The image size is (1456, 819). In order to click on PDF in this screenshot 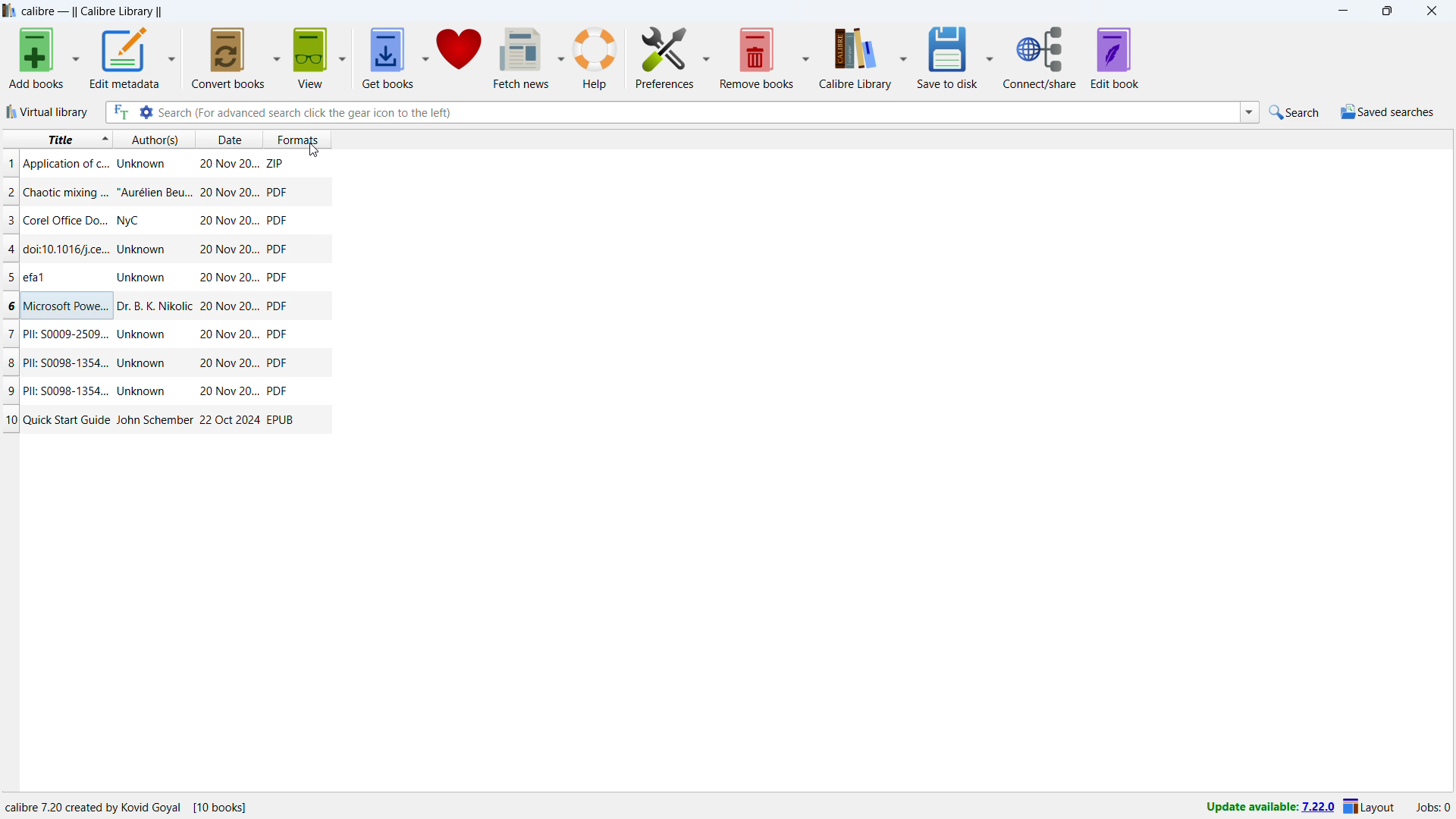, I will do `click(281, 392)`.